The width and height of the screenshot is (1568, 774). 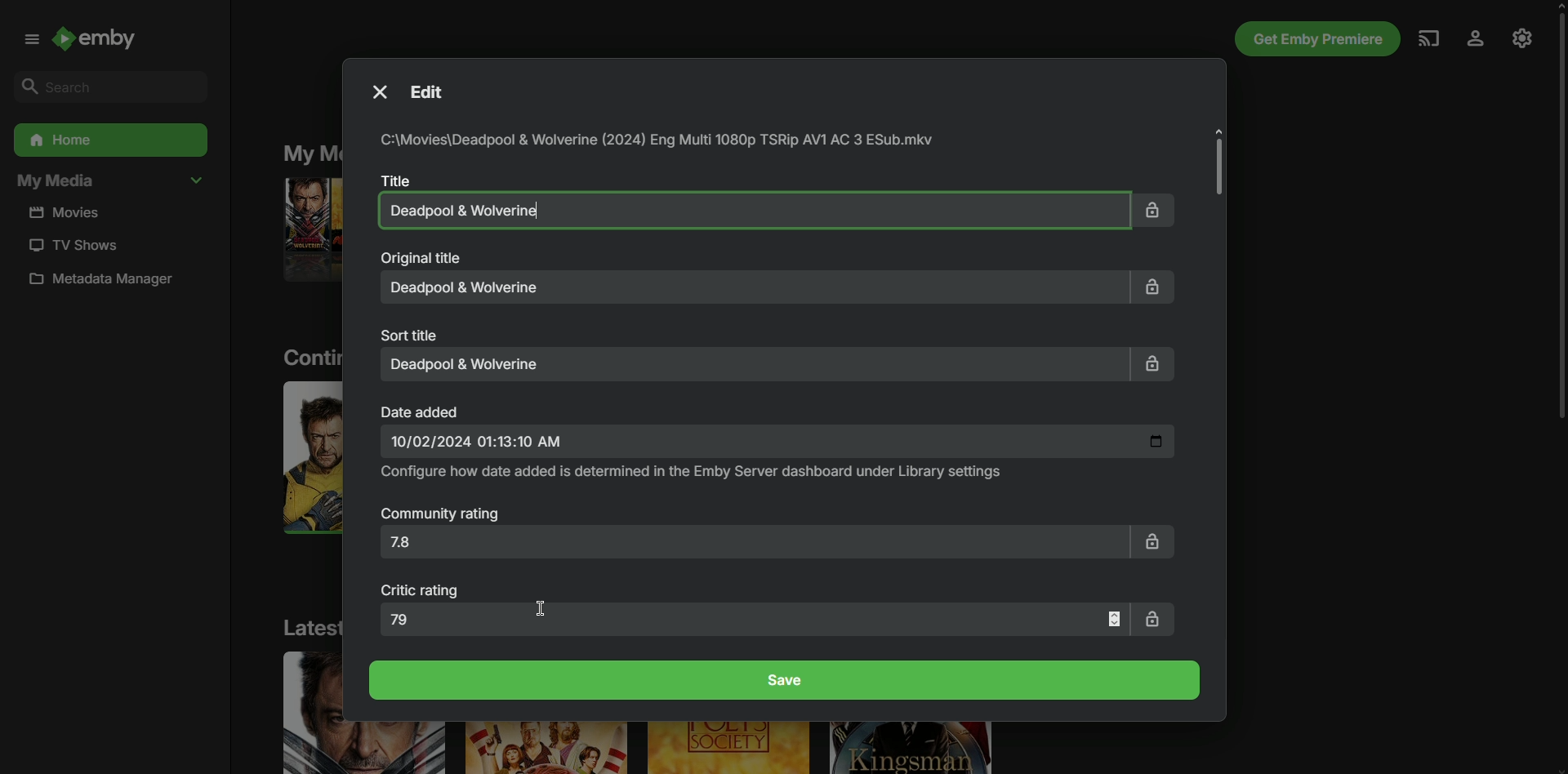 What do you see at coordinates (1152, 366) in the screenshot?
I see `Lock` at bounding box center [1152, 366].